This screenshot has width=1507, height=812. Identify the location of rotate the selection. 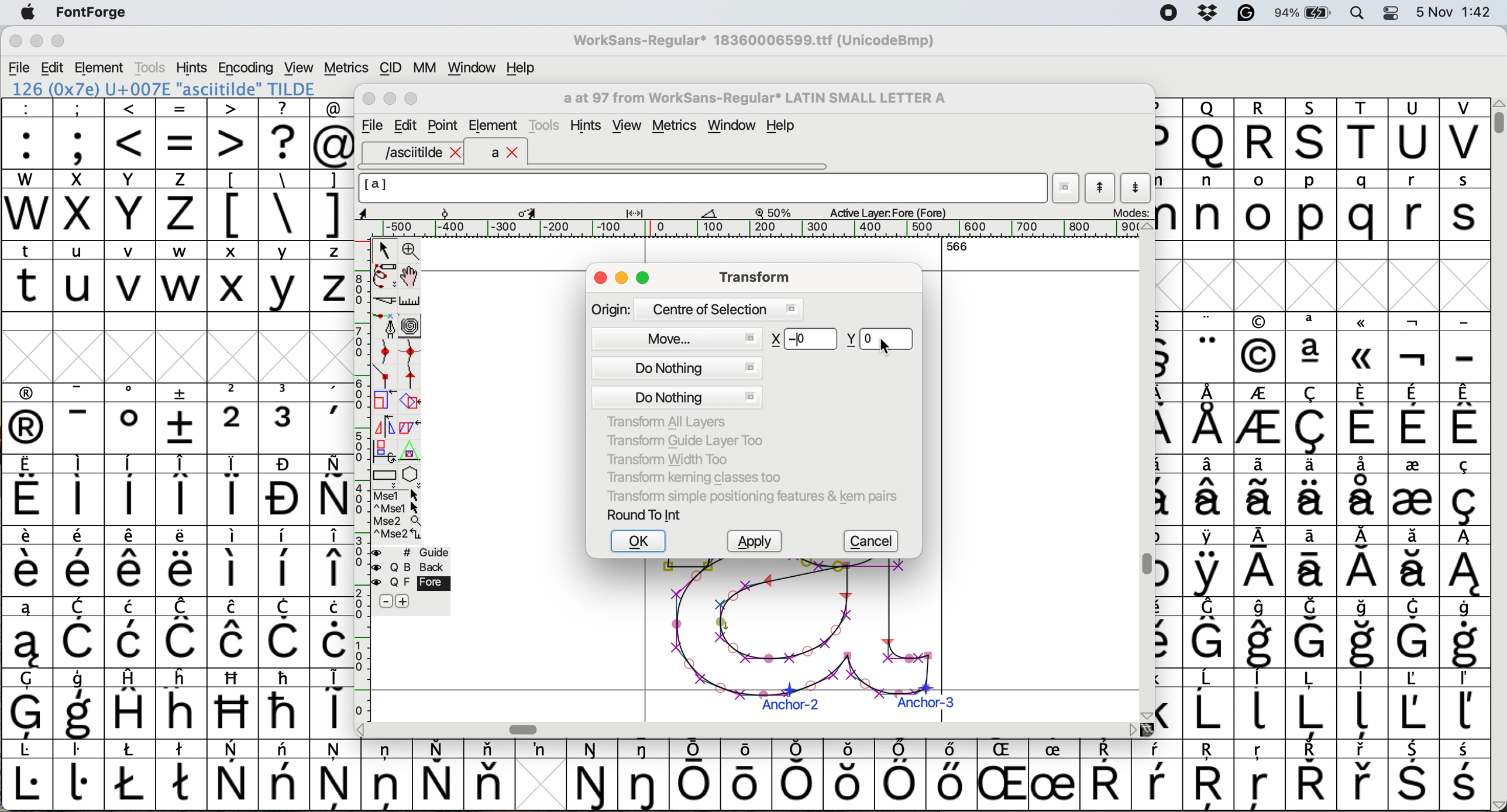
(416, 402).